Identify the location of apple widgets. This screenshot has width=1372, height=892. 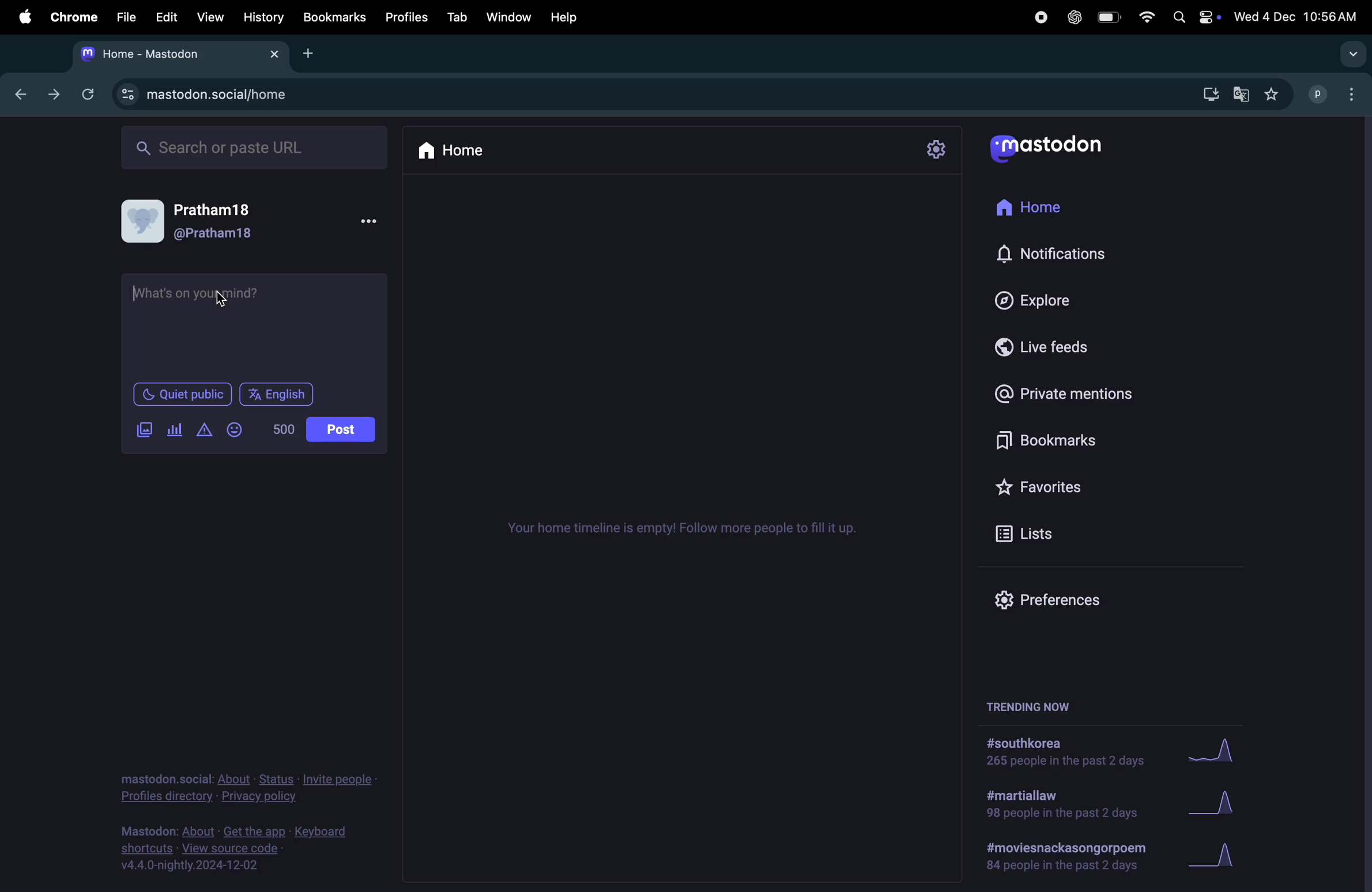
(1195, 16).